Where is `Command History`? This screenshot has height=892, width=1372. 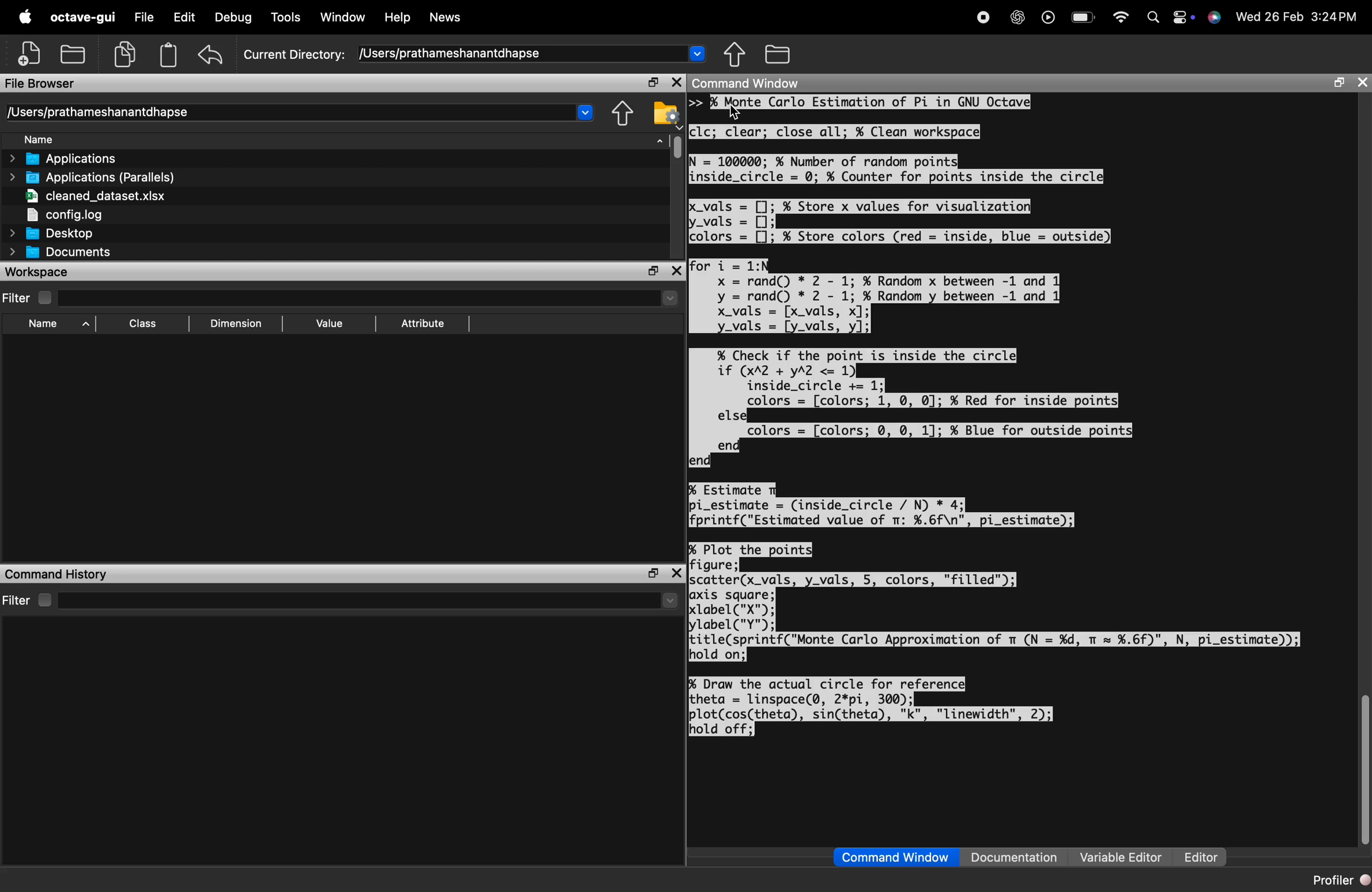 Command History is located at coordinates (56, 574).